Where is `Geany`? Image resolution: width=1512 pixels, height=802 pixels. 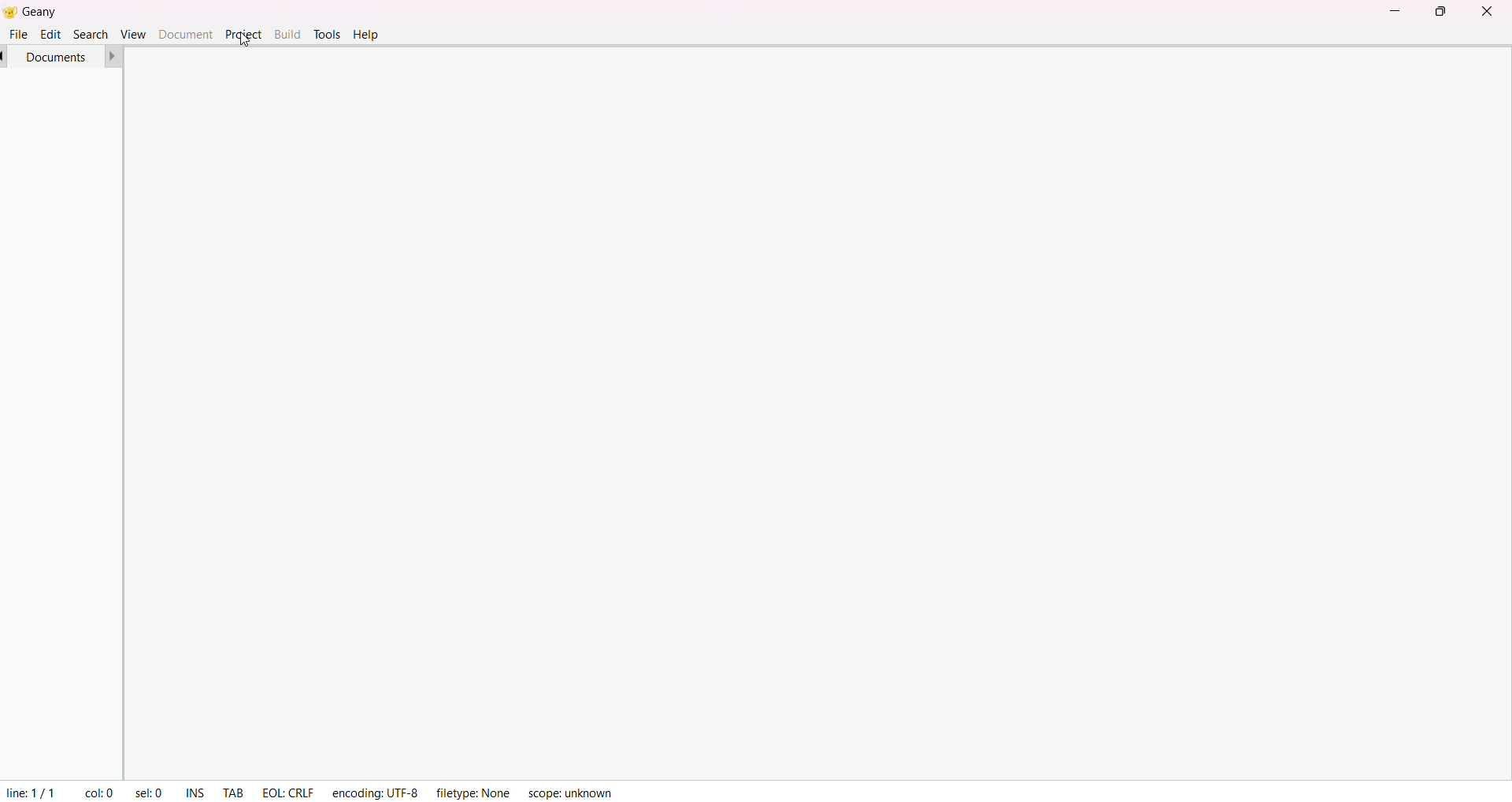
Geany is located at coordinates (54, 9).